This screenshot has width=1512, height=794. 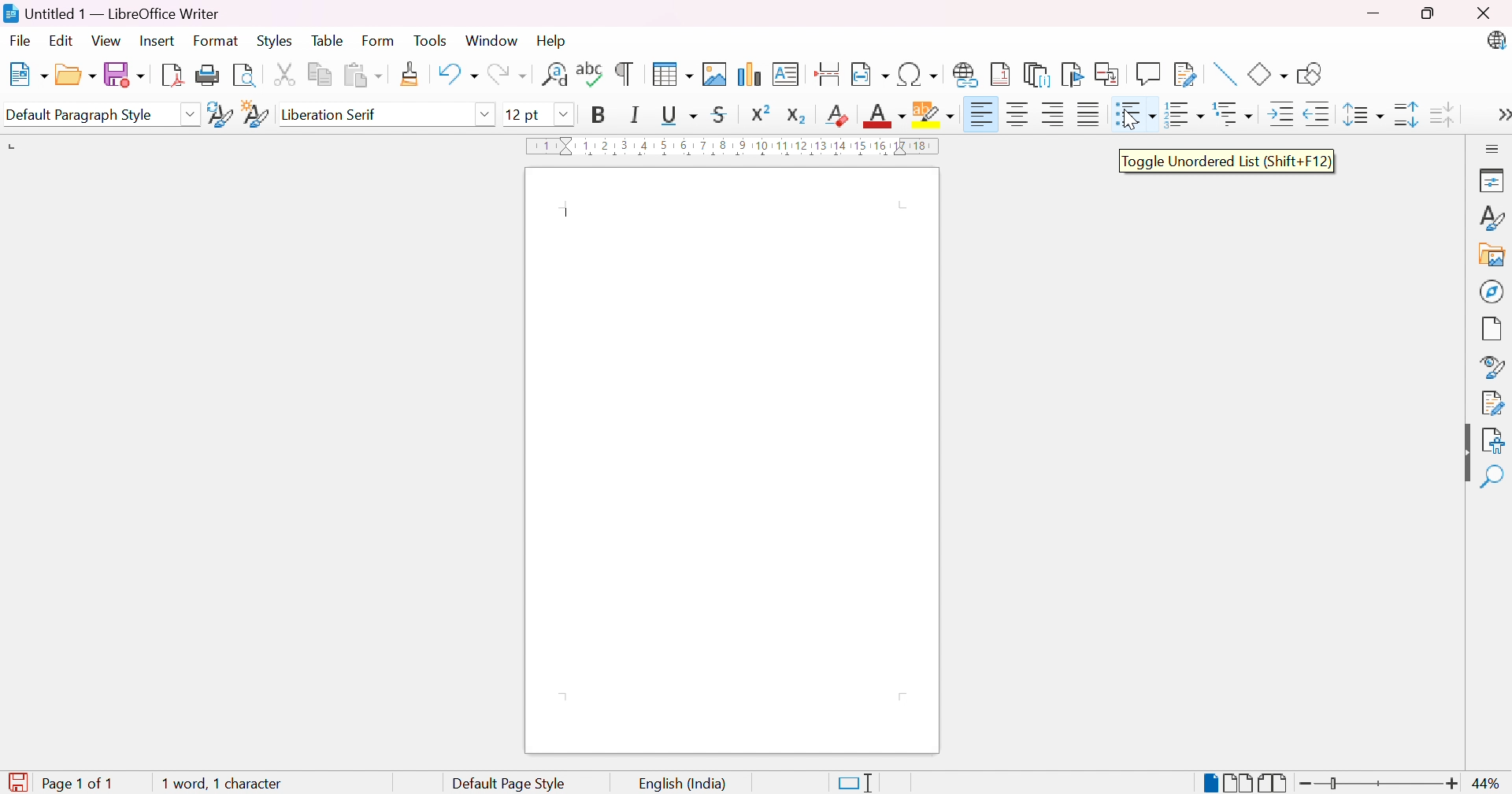 What do you see at coordinates (1332, 782) in the screenshot?
I see `Slider` at bounding box center [1332, 782].